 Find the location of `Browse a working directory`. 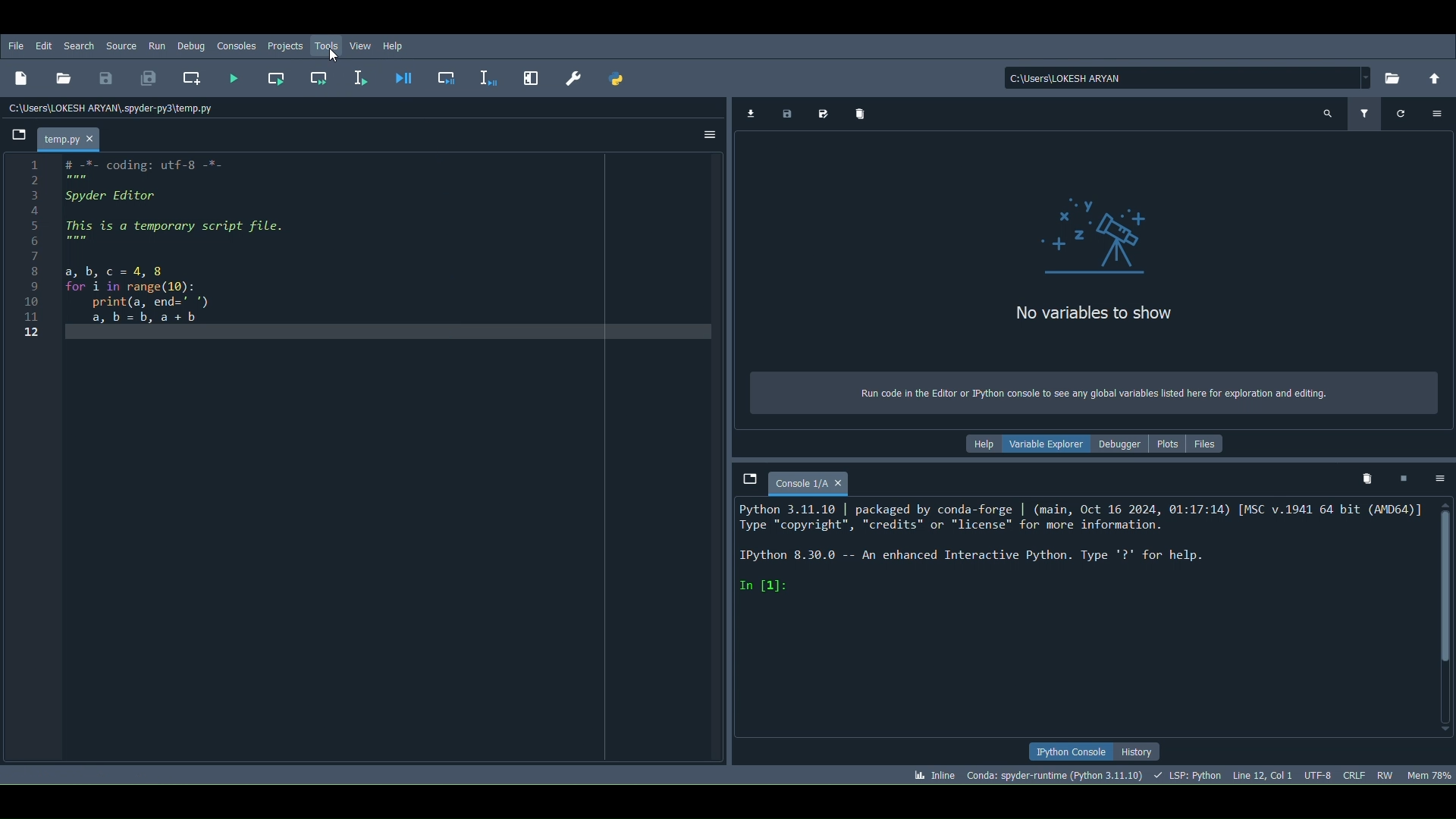

Browse a working directory is located at coordinates (1393, 74).